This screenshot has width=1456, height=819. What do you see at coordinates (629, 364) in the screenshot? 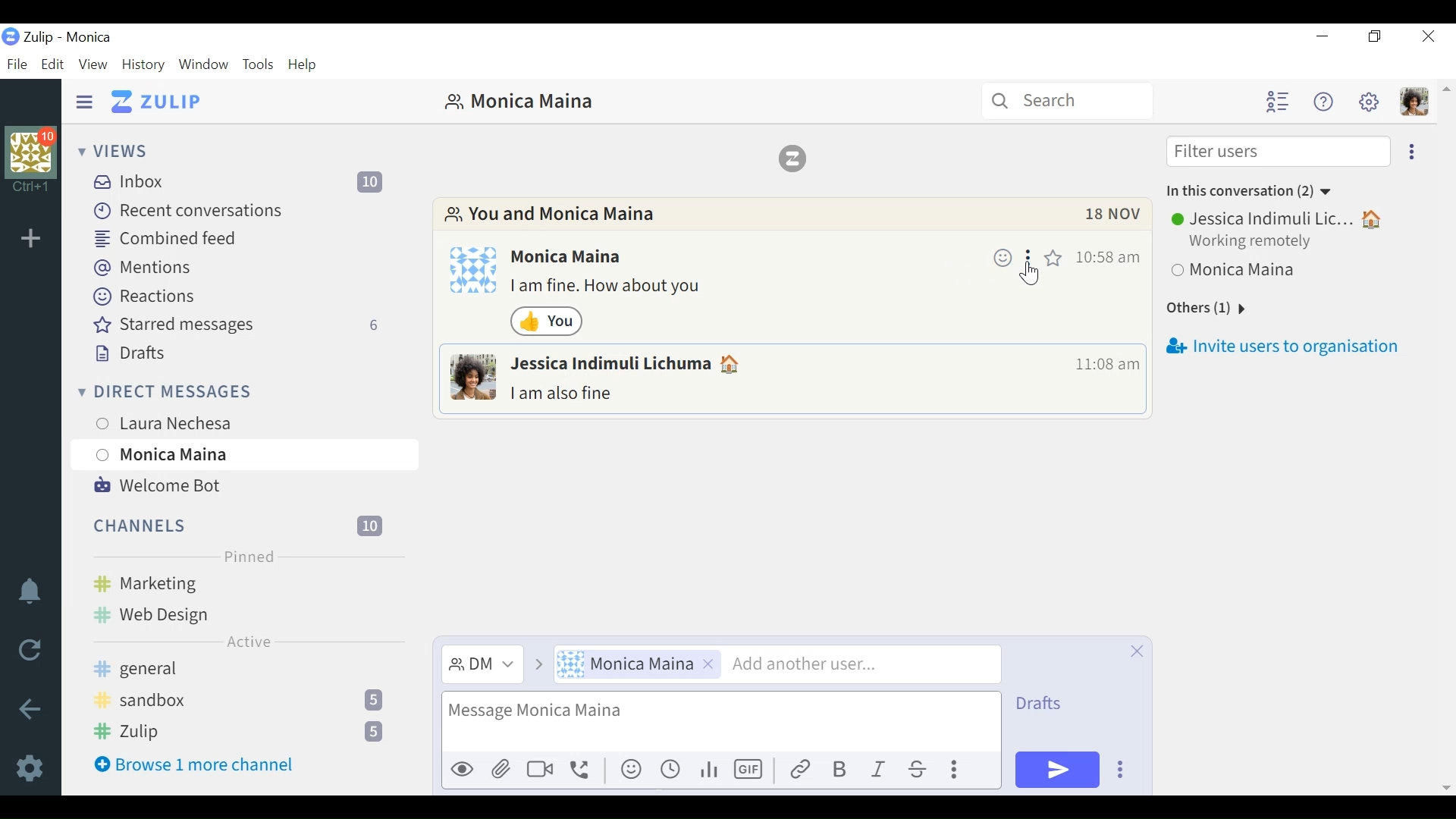
I see `Jessica Indimuli Lichuma` at bounding box center [629, 364].